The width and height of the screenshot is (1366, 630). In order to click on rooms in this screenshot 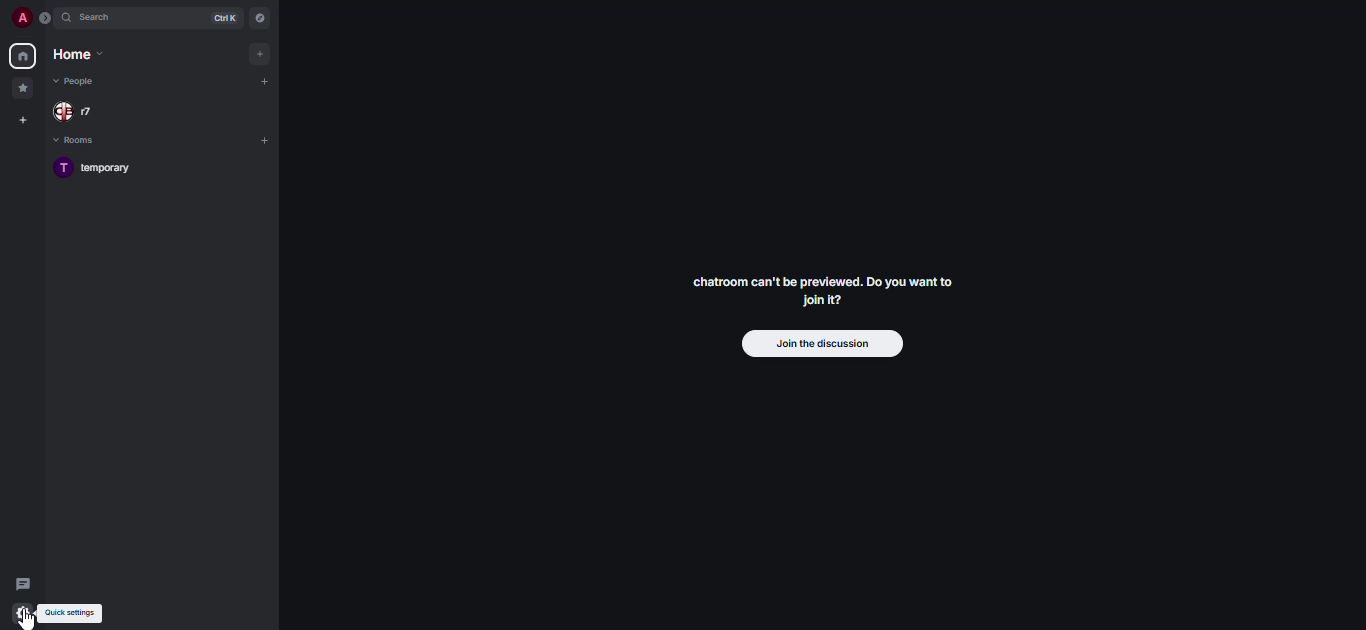, I will do `click(85, 140)`.